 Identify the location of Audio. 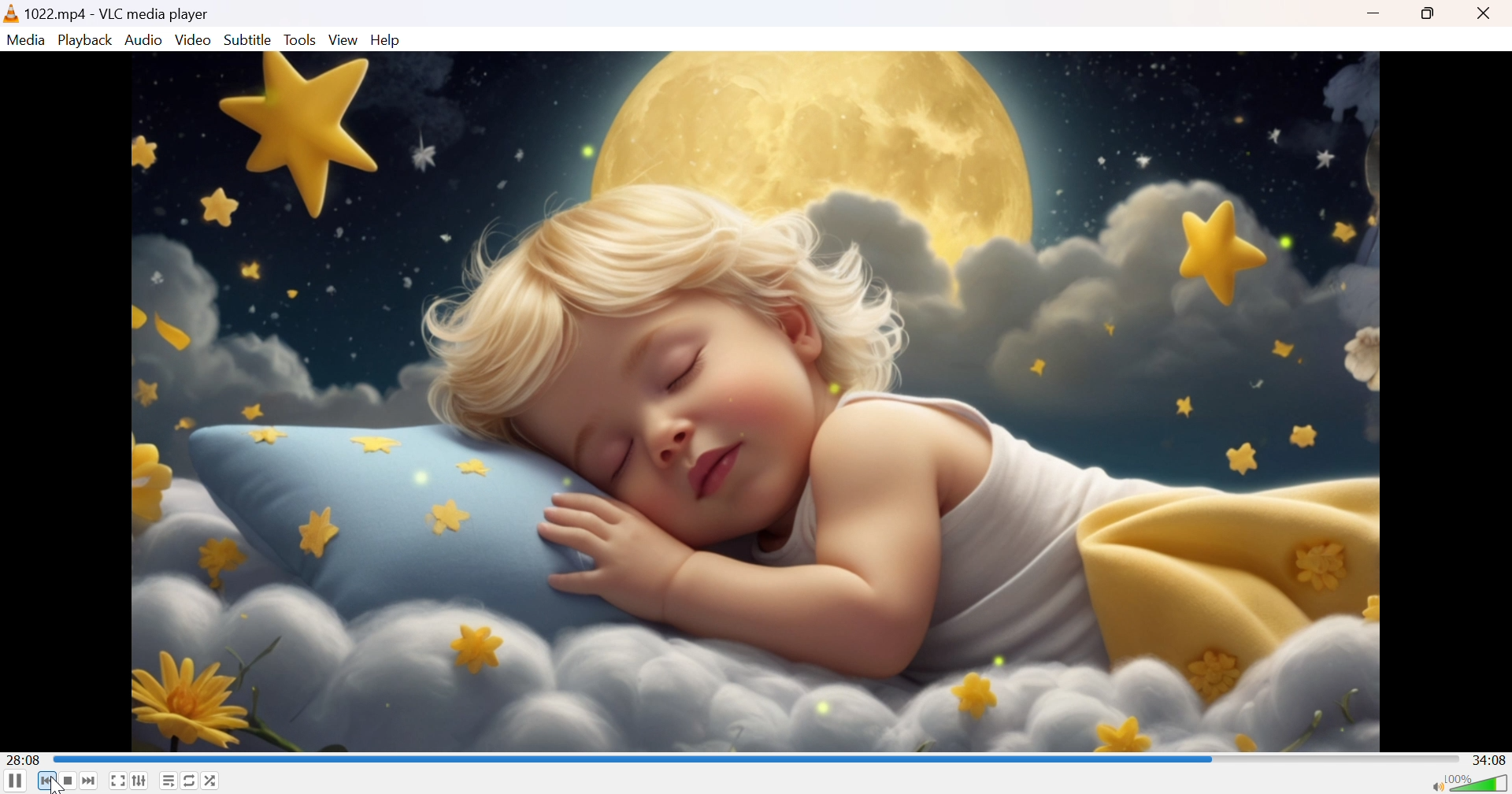
(146, 41).